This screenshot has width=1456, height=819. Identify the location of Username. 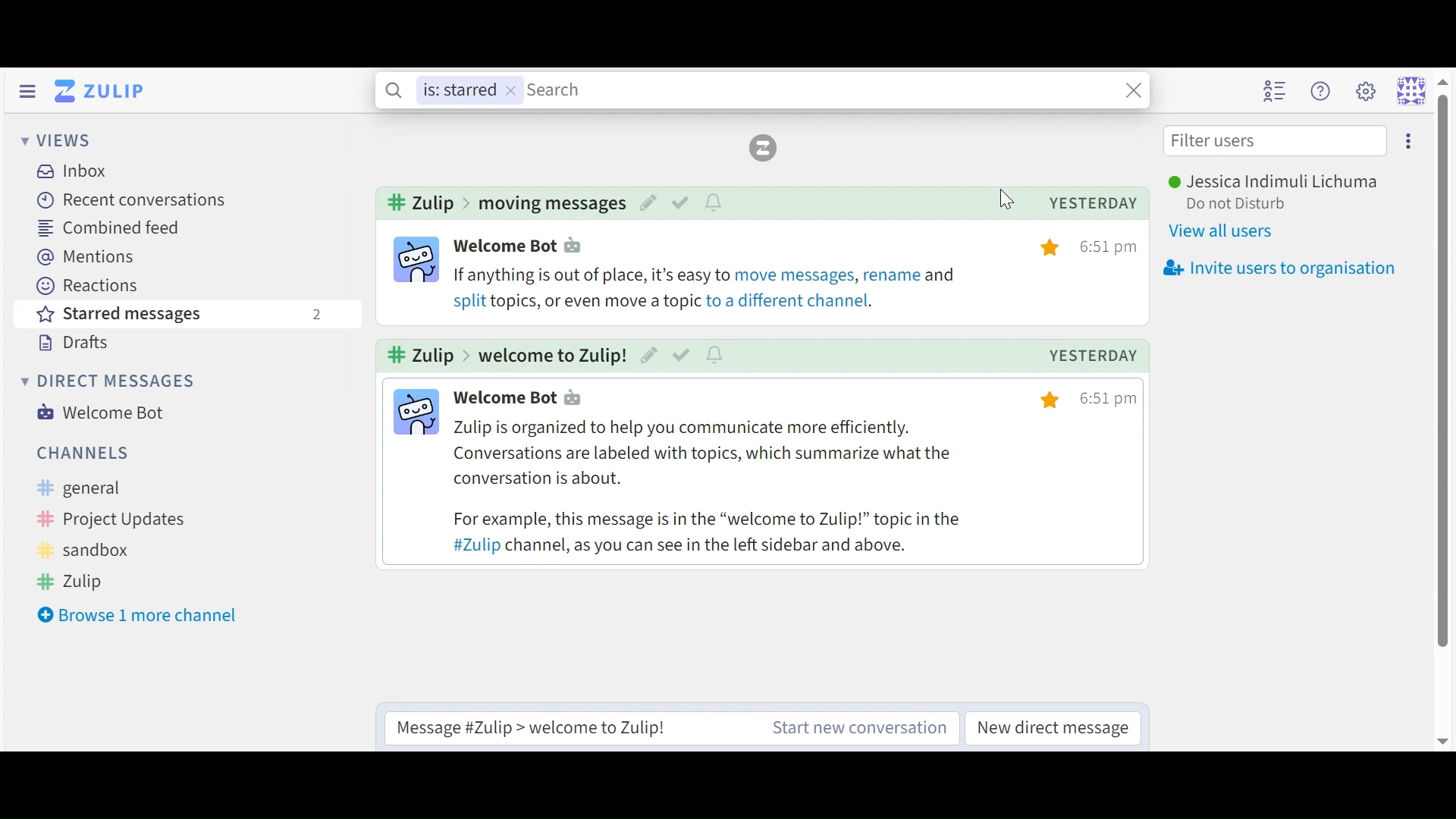
(1282, 181).